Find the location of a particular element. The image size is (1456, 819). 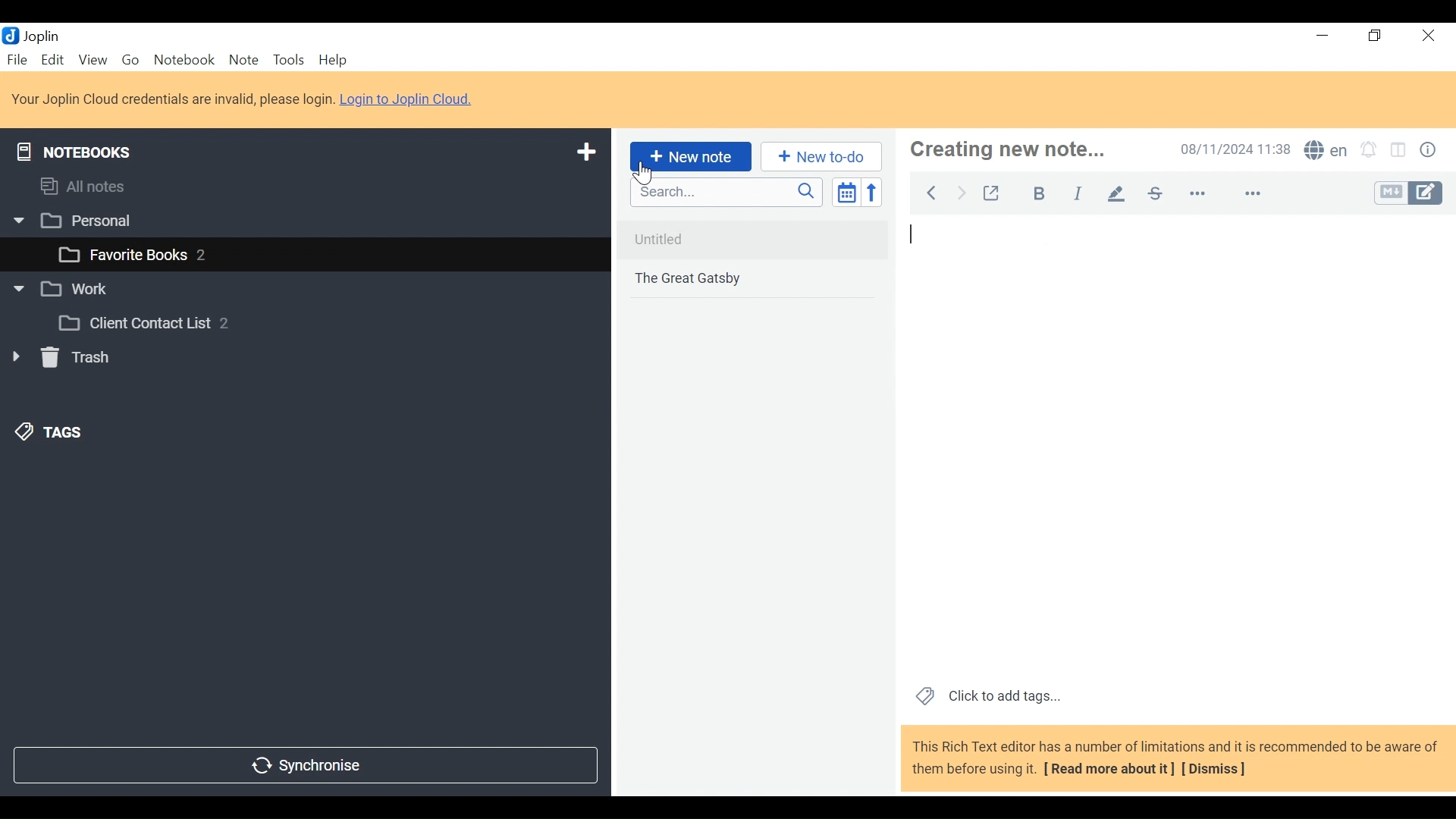

Synchronise is located at coordinates (308, 765).